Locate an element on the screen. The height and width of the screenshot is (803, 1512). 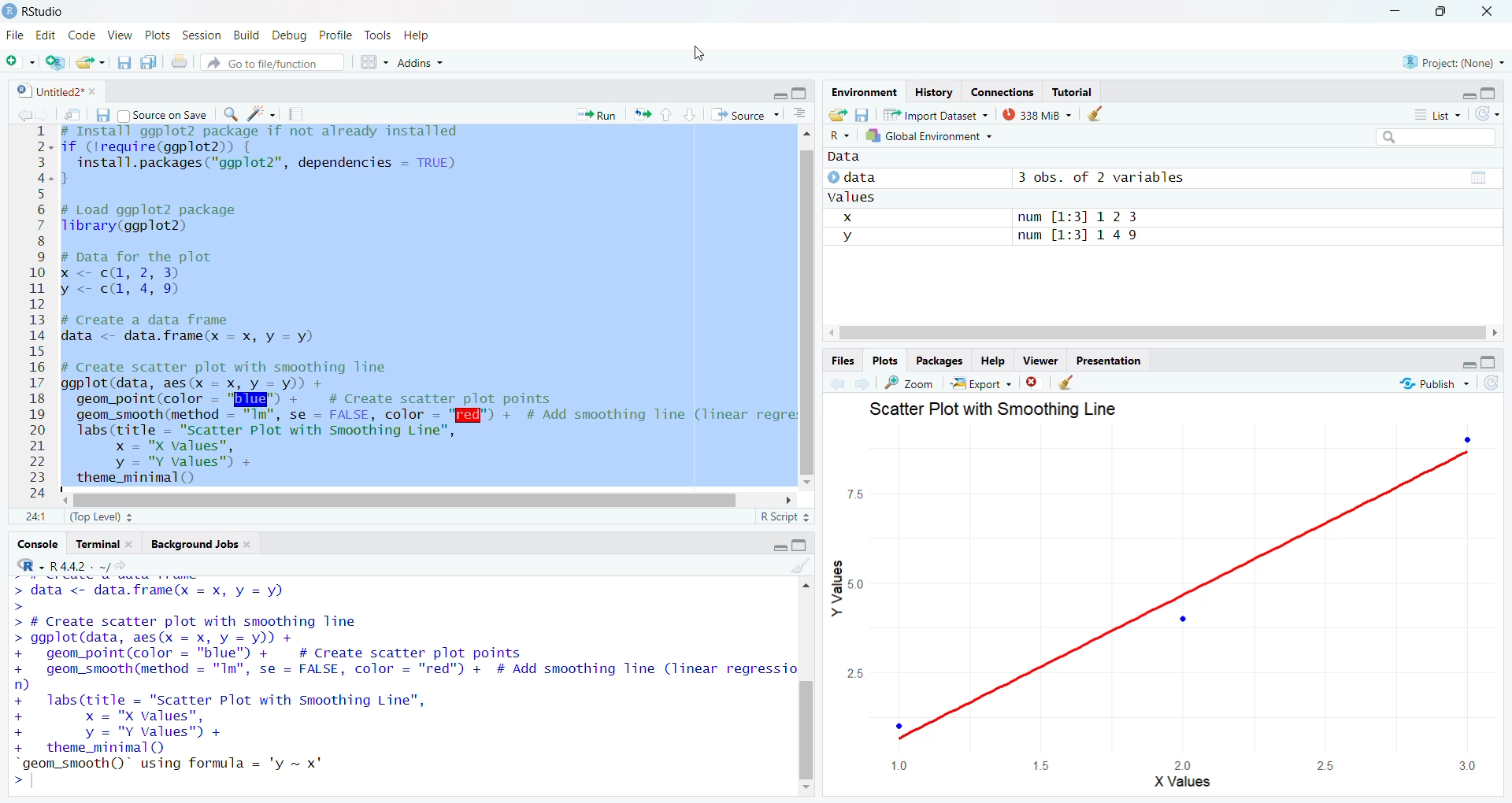
Project: (None)  is located at coordinates (1452, 61).